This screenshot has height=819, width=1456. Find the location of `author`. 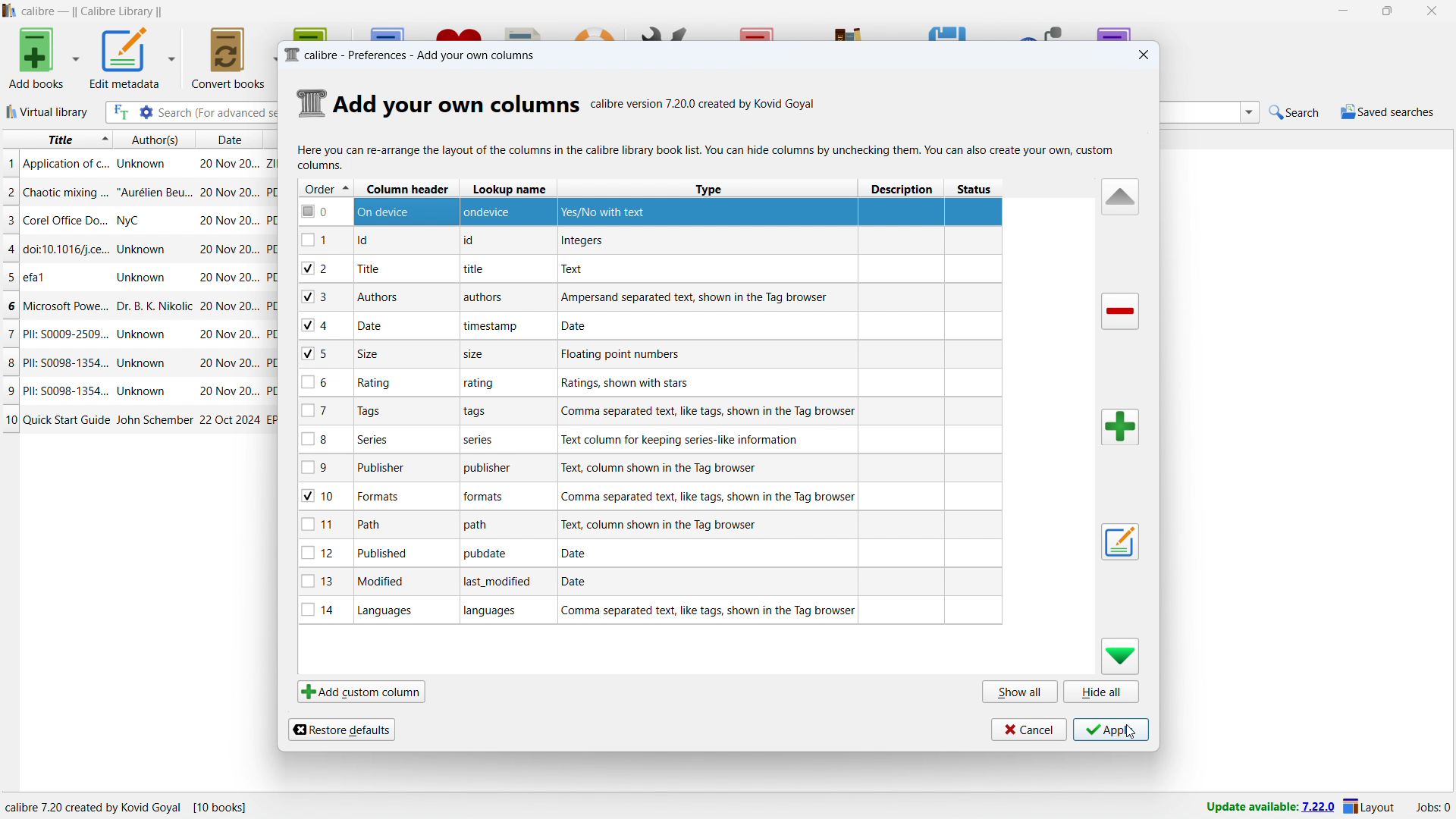

author is located at coordinates (136, 220).